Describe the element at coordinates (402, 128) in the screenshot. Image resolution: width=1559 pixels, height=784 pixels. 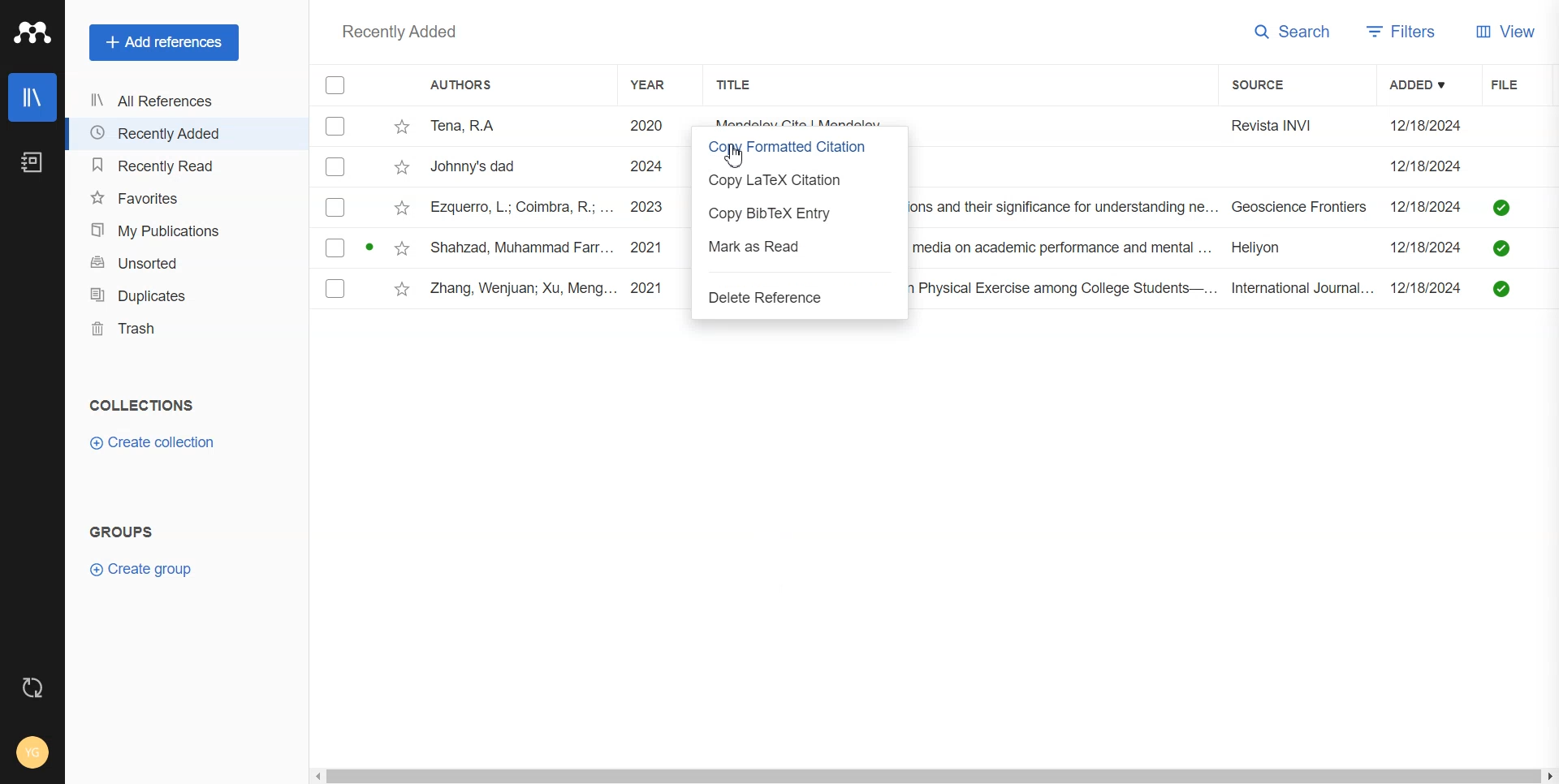
I see `Star` at that location.